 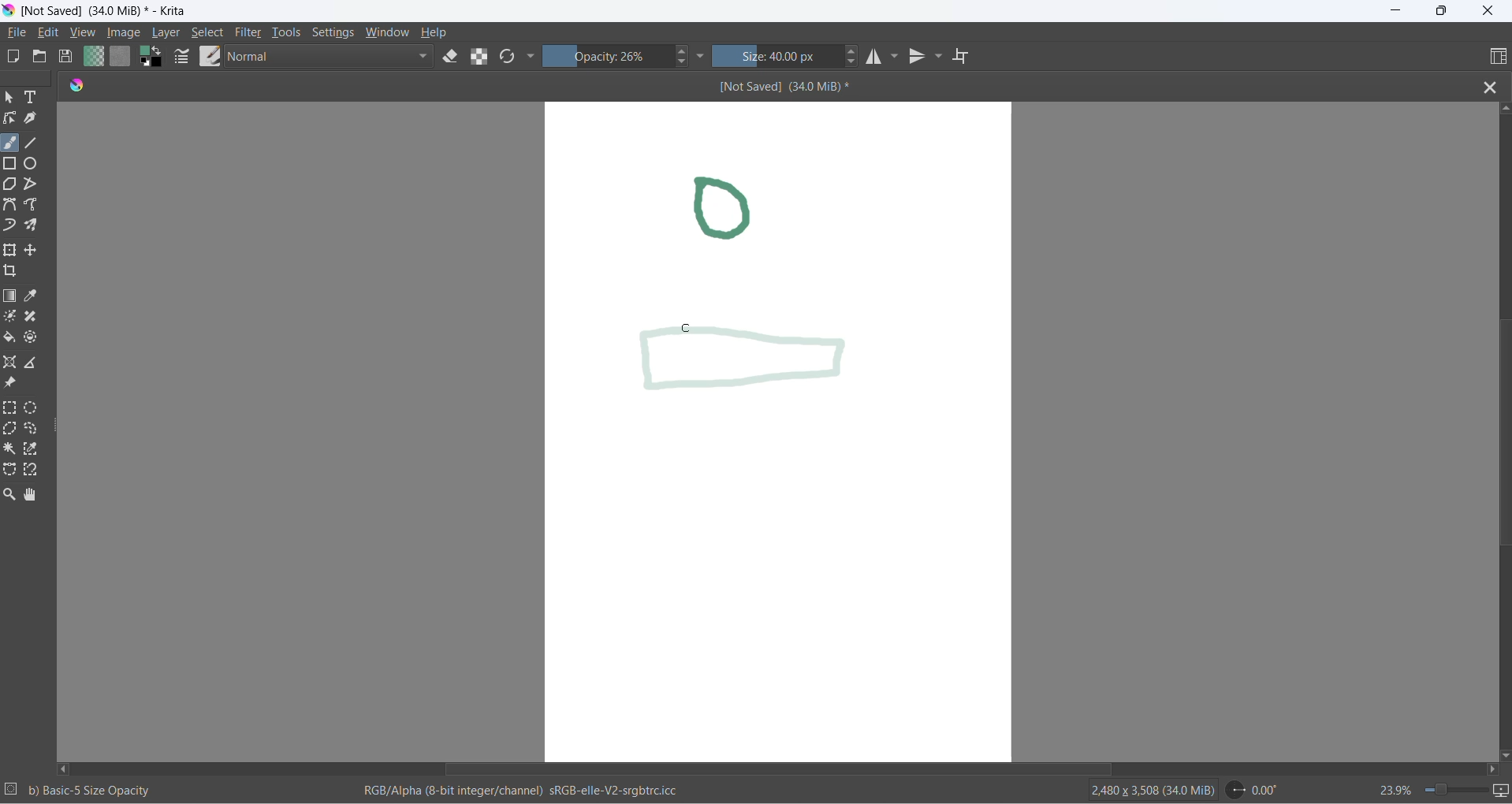 What do you see at coordinates (22, 34) in the screenshot?
I see `file` at bounding box center [22, 34].